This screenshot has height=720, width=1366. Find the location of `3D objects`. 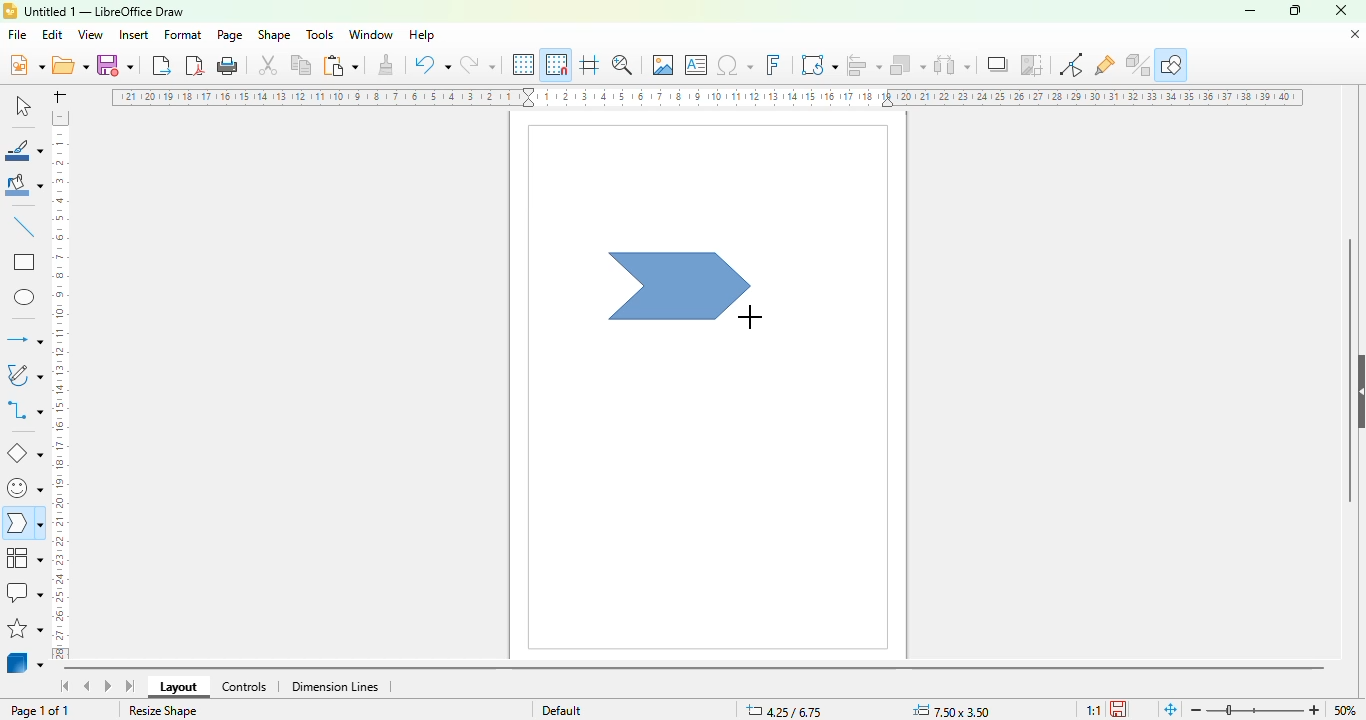

3D objects is located at coordinates (25, 661).